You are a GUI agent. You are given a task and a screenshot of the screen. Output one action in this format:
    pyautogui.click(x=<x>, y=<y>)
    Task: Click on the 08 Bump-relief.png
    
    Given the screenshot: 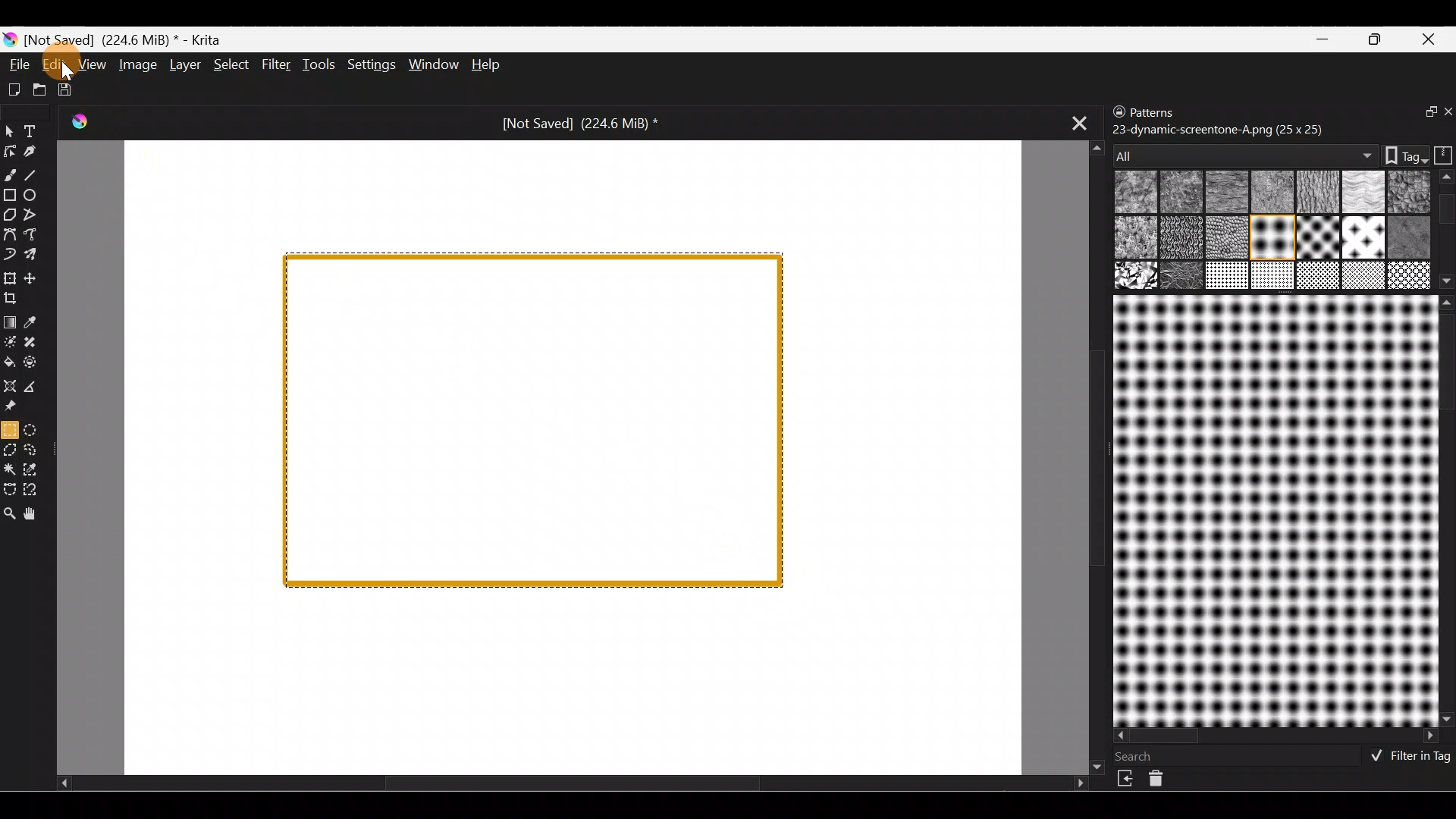 What is the action you would take?
    pyautogui.click(x=1139, y=239)
    